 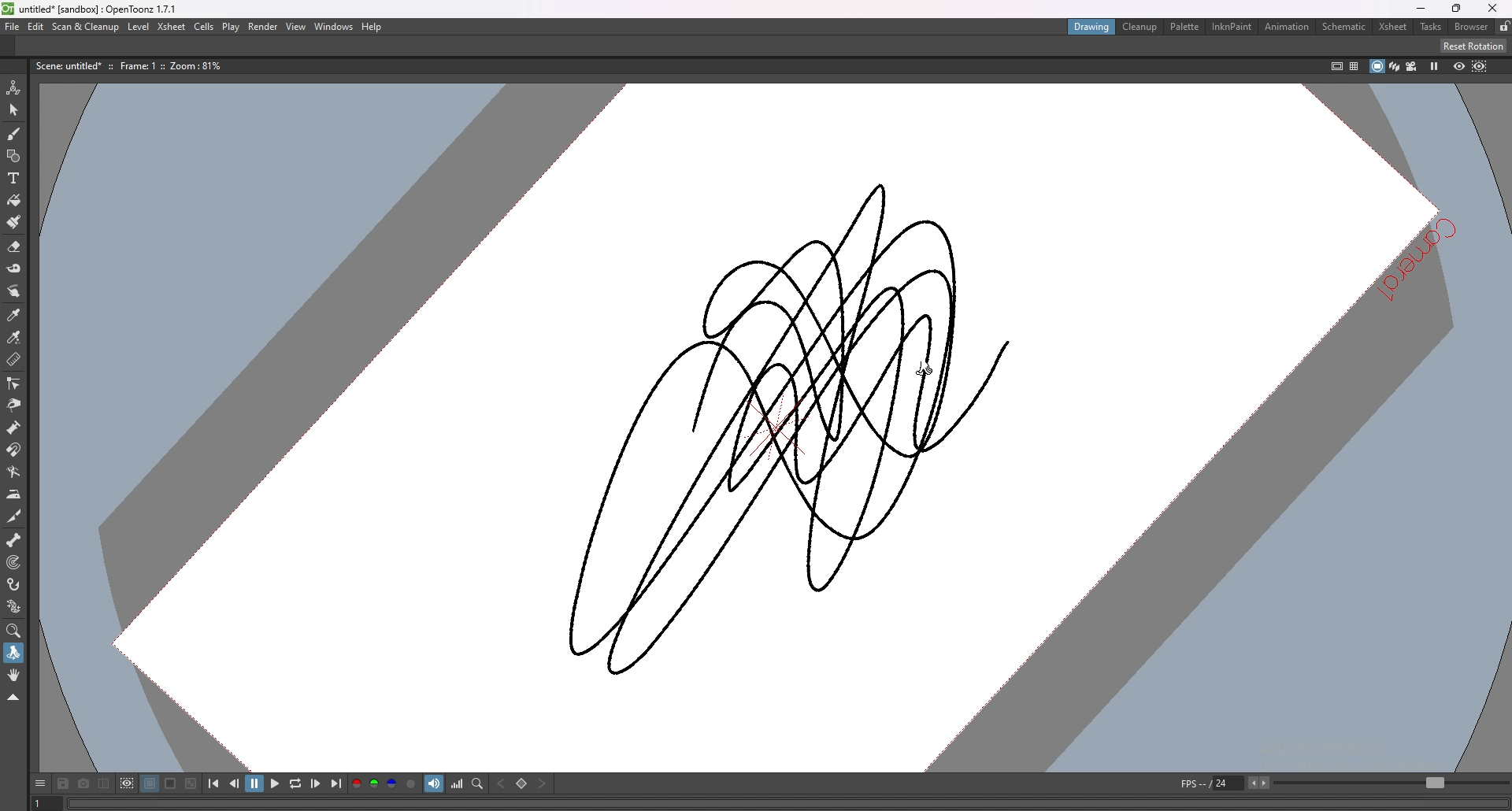 I want to click on hook, so click(x=13, y=583).